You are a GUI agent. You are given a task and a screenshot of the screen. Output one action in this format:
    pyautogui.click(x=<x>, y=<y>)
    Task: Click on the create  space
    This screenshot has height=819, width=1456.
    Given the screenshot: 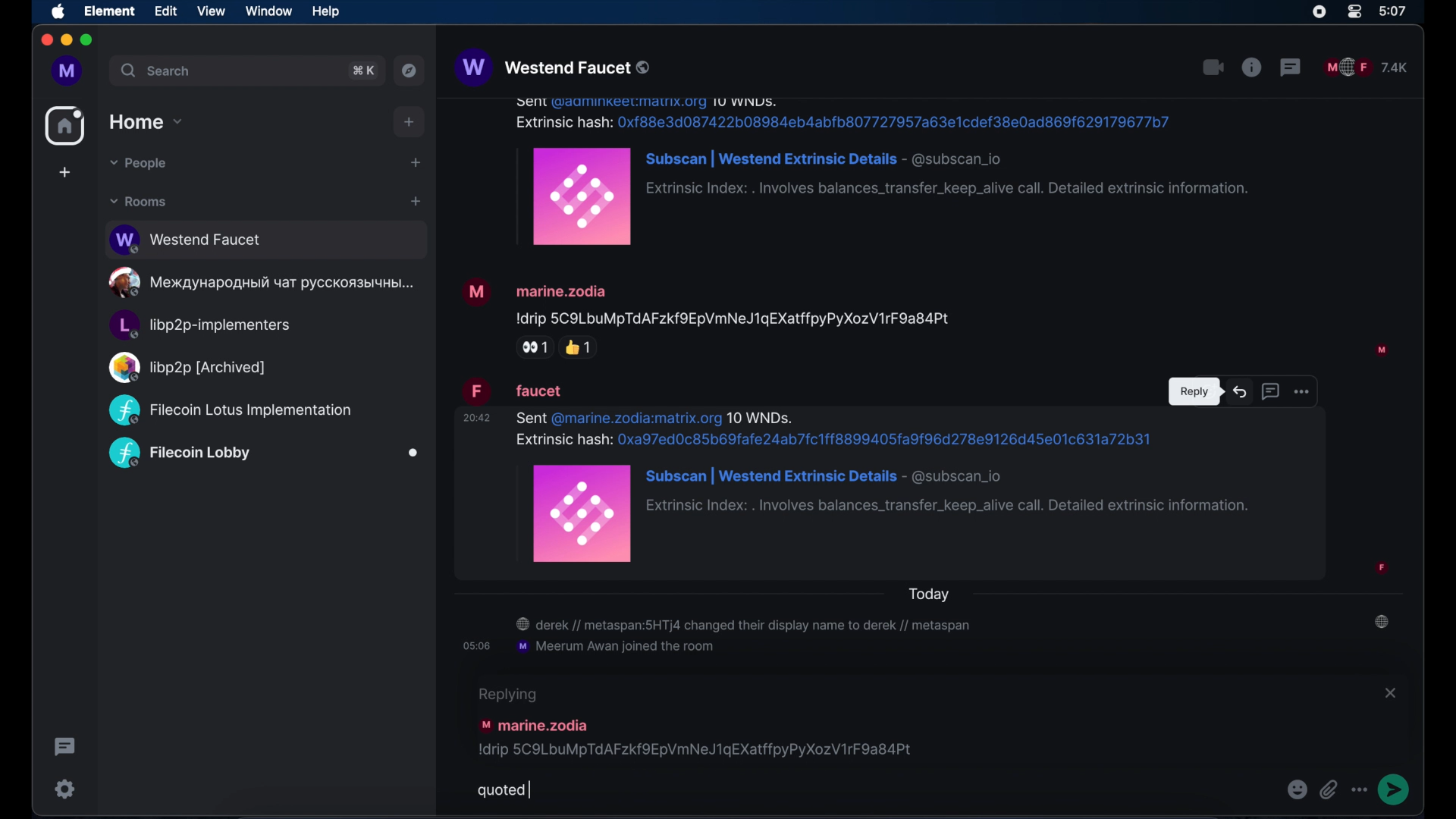 What is the action you would take?
    pyautogui.click(x=66, y=173)
    